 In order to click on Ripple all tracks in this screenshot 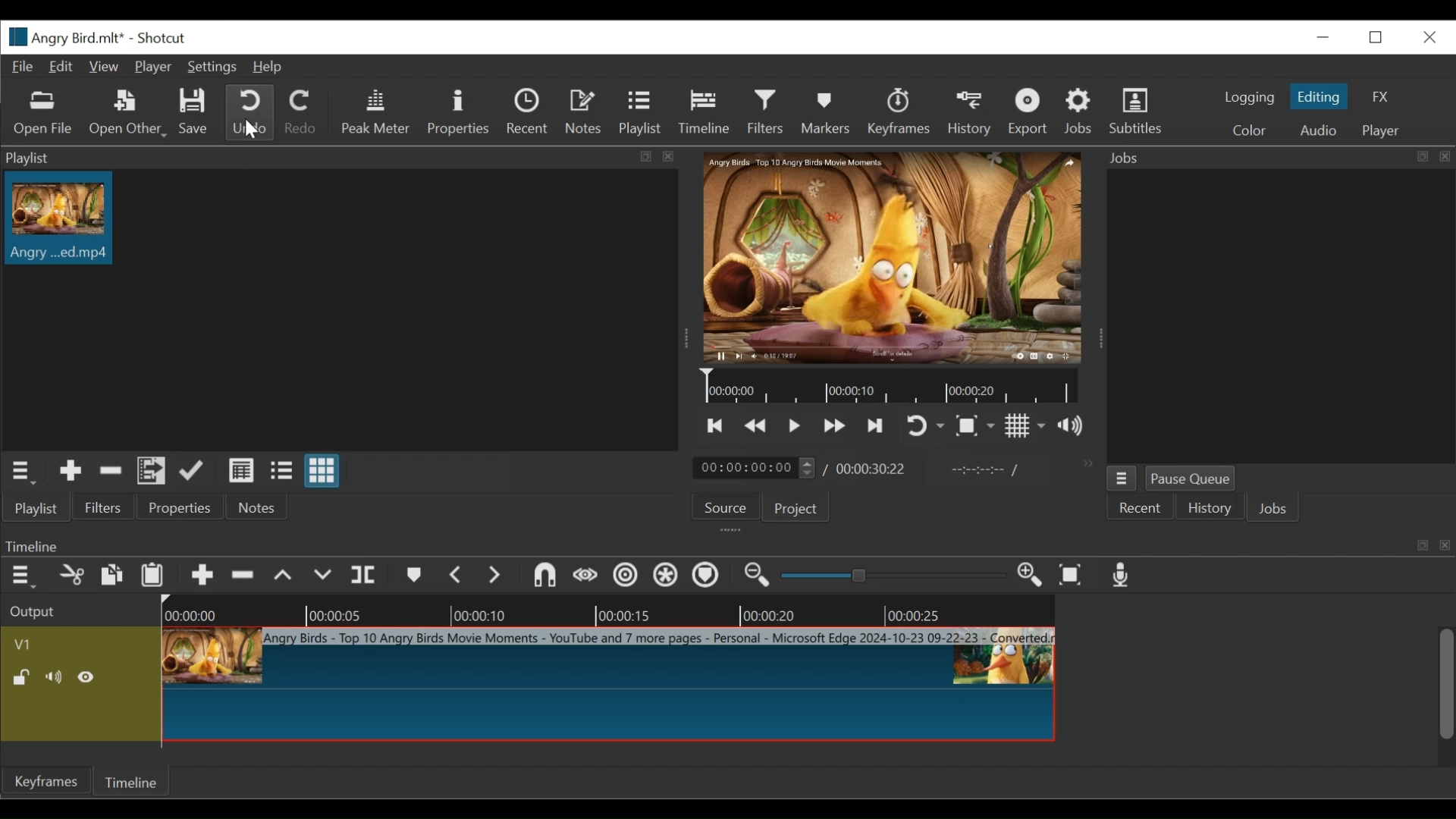, I will do `click(665, 575)`.